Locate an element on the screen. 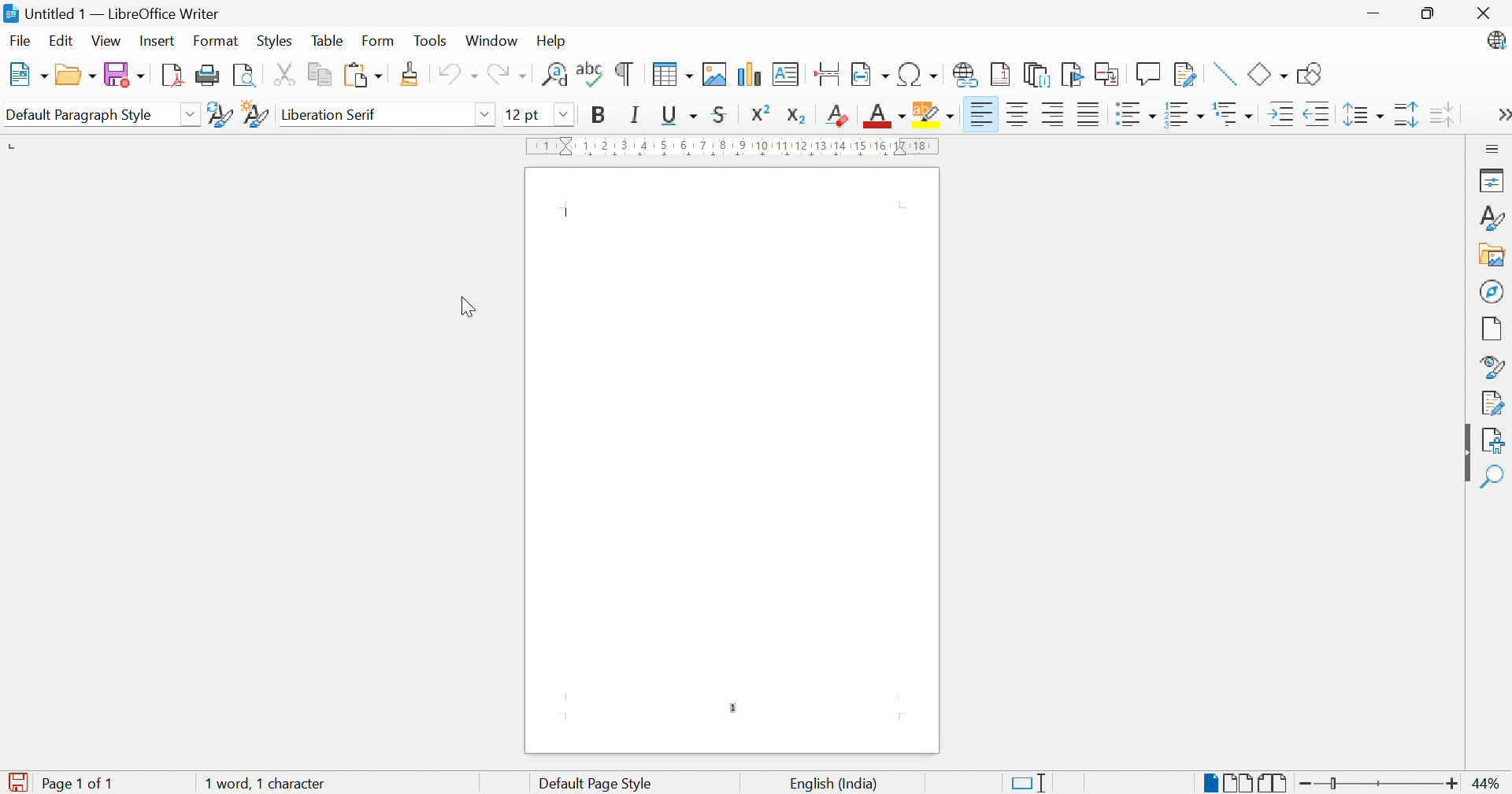 This screenshot has height=794, width=1512. Align center is located at coordinates (1018, 115).